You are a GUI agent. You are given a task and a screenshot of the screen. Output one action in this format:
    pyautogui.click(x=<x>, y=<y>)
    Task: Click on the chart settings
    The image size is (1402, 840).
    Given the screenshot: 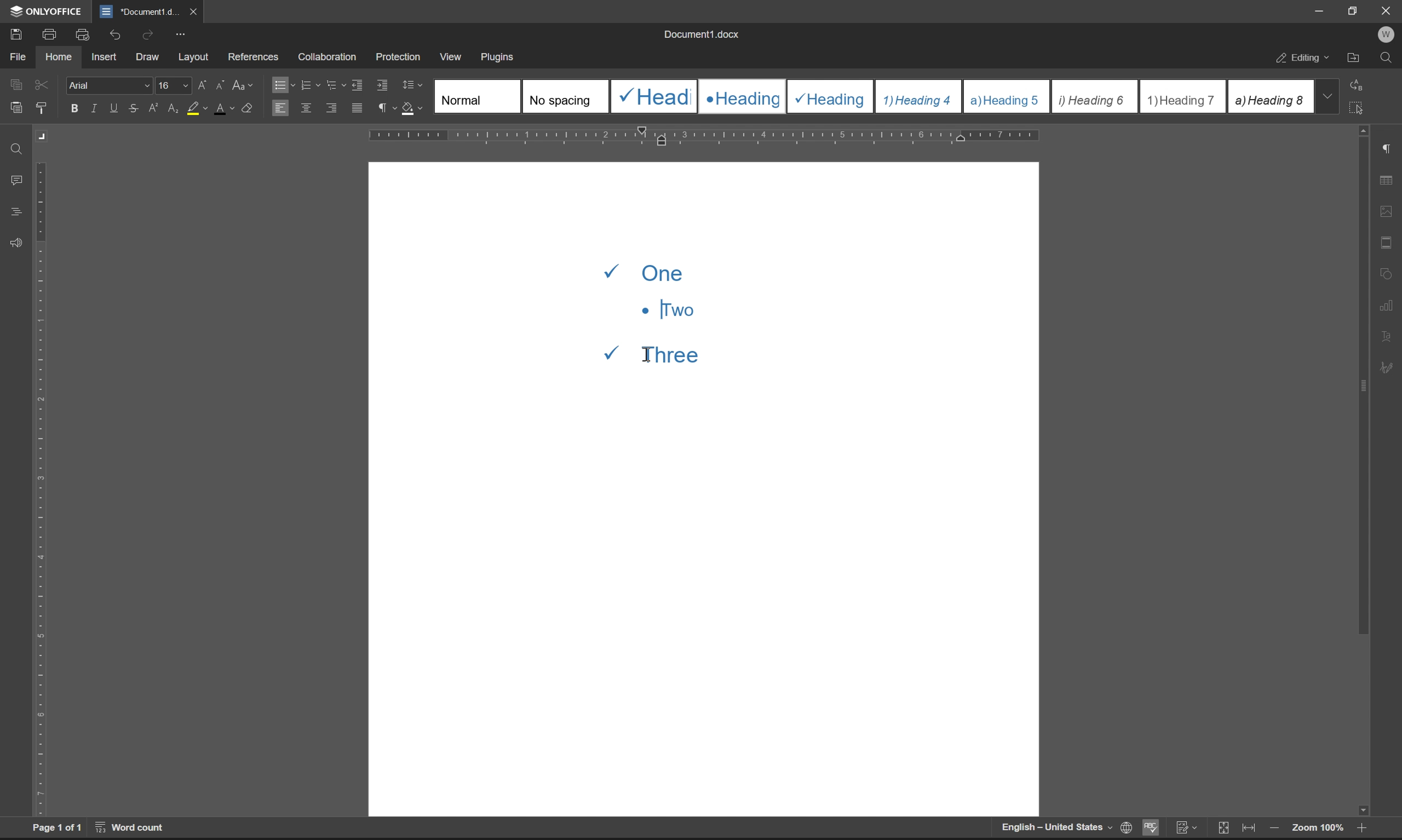 What is the action you would take?
    pyautogui.click(x=1387, y=302)
    